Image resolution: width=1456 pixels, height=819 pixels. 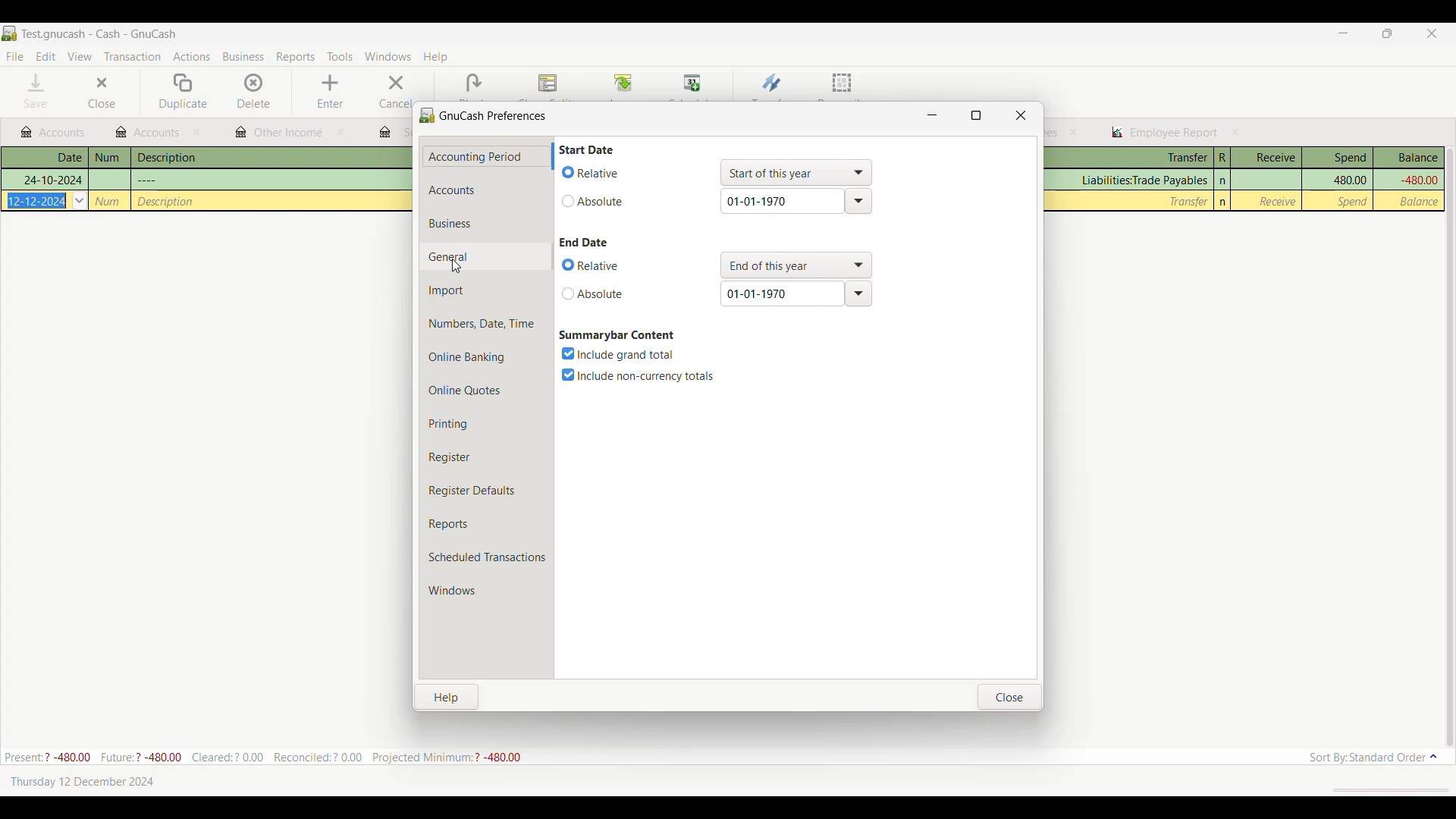 I want to click on Section title, so click(x=586, y=149).